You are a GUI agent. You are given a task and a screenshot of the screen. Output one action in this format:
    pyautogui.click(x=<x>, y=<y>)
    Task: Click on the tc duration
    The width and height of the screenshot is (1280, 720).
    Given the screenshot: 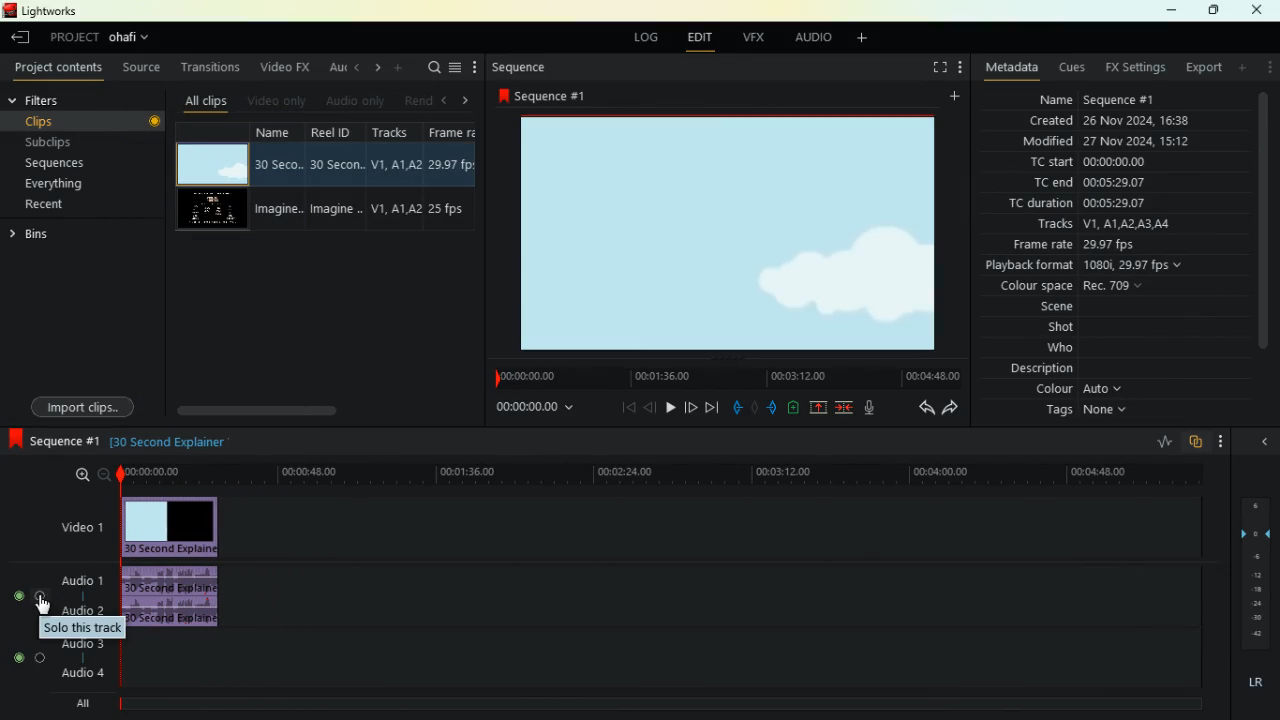 What is the action you would take?
    pyautogui.click(x=1103, y=204)
    